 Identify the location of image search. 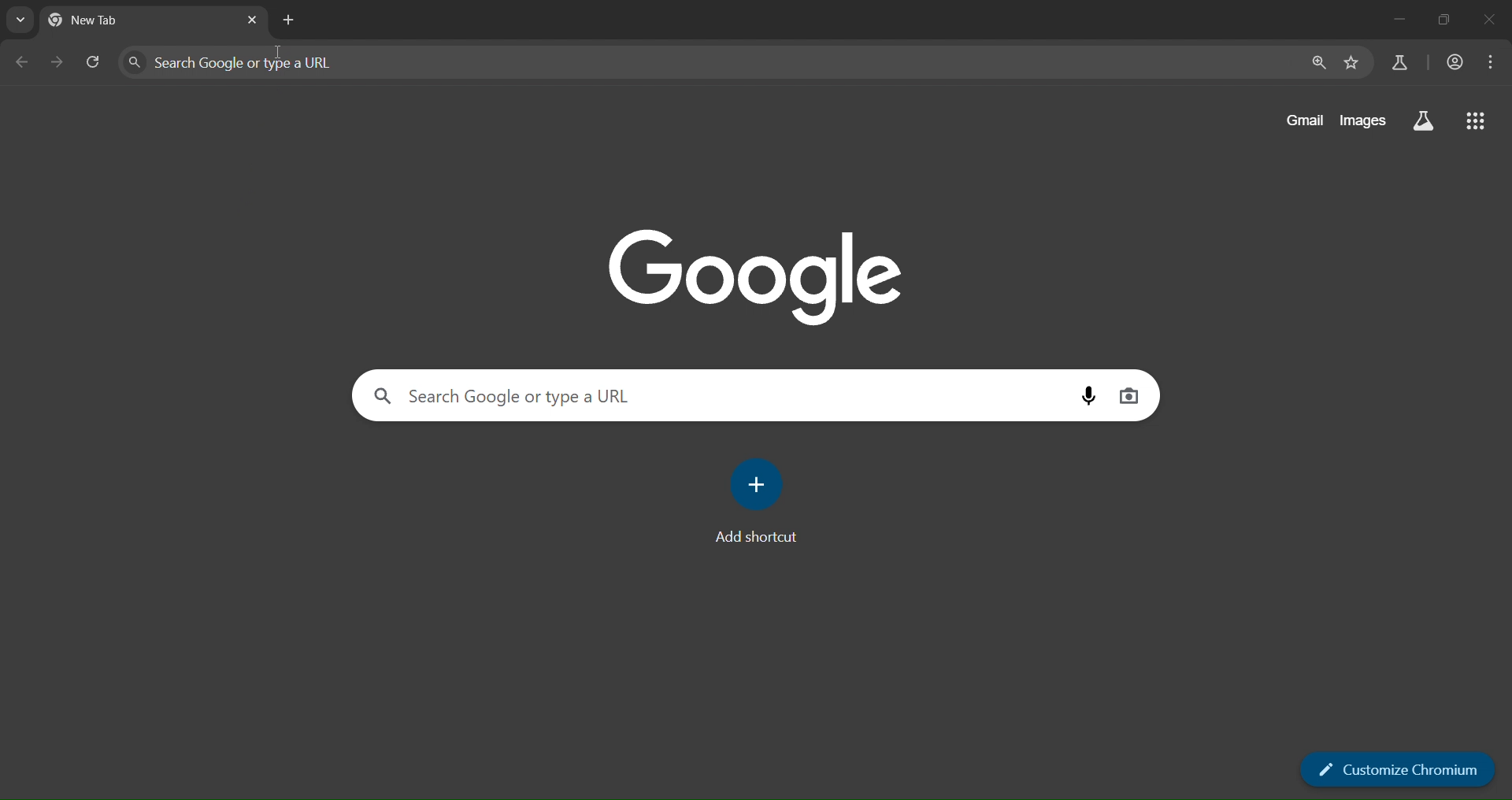
(1128, 394).